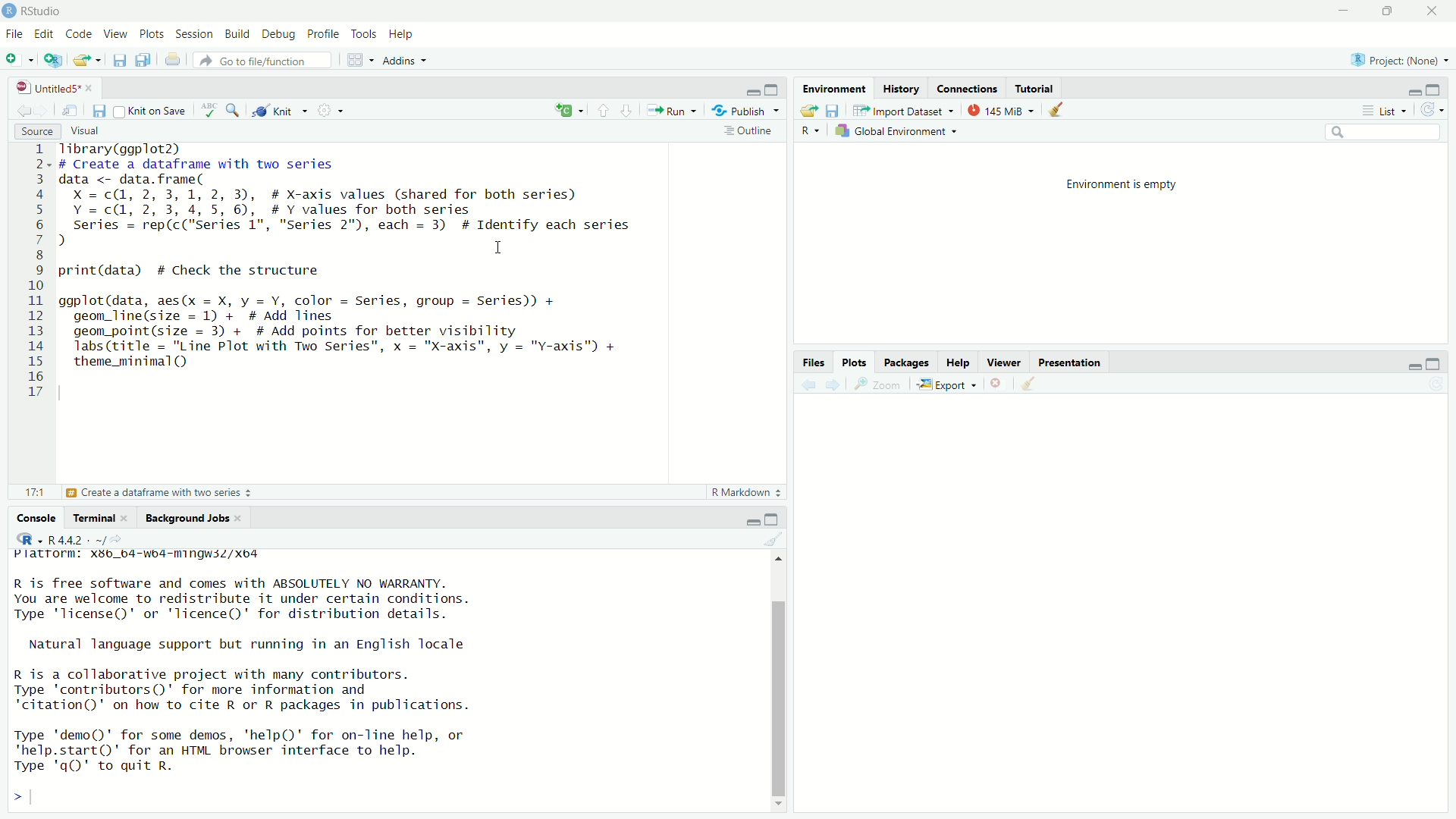  I want to click on History, so click(900, 89).